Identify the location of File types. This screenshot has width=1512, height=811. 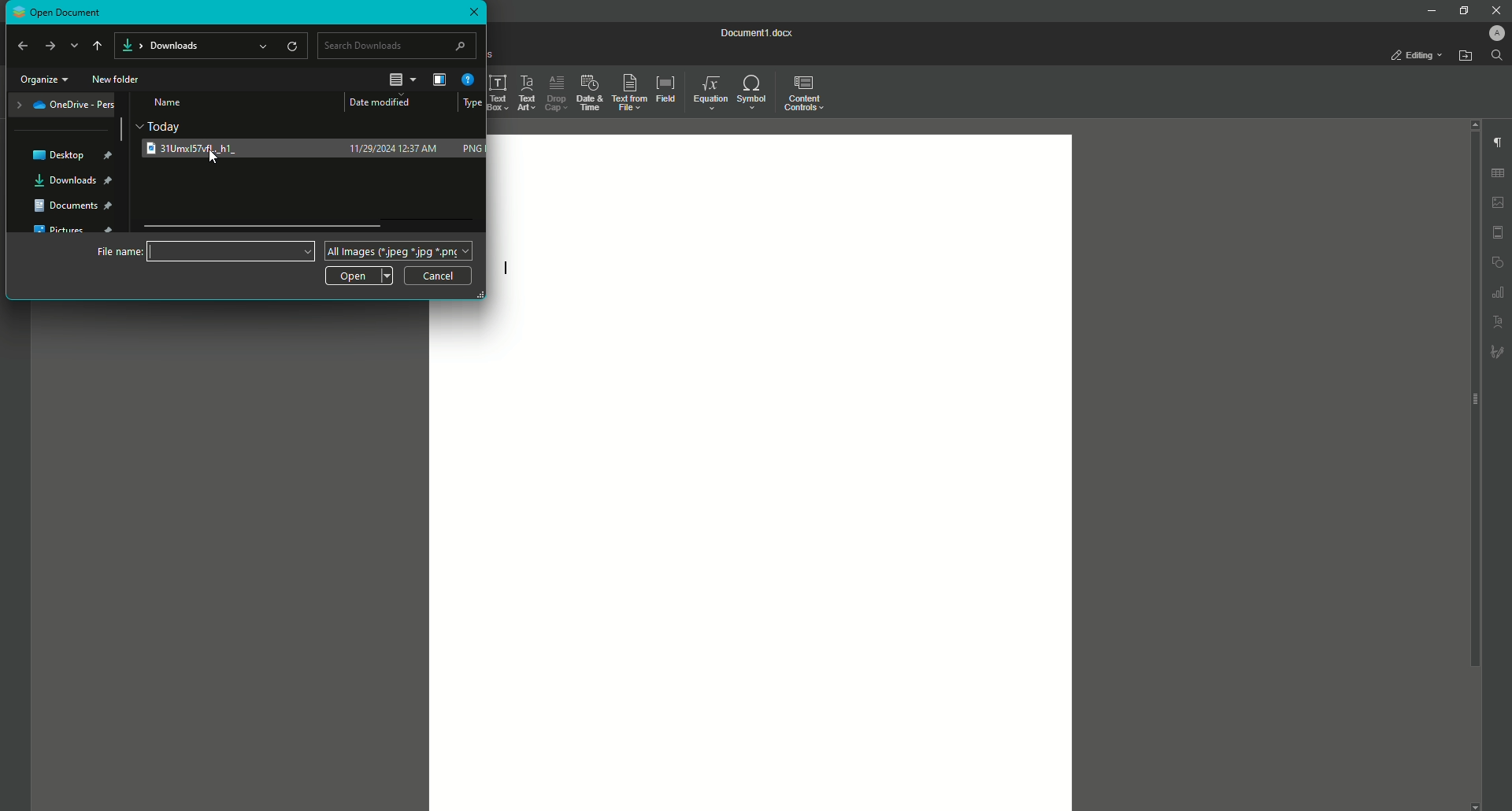
(398, 250).